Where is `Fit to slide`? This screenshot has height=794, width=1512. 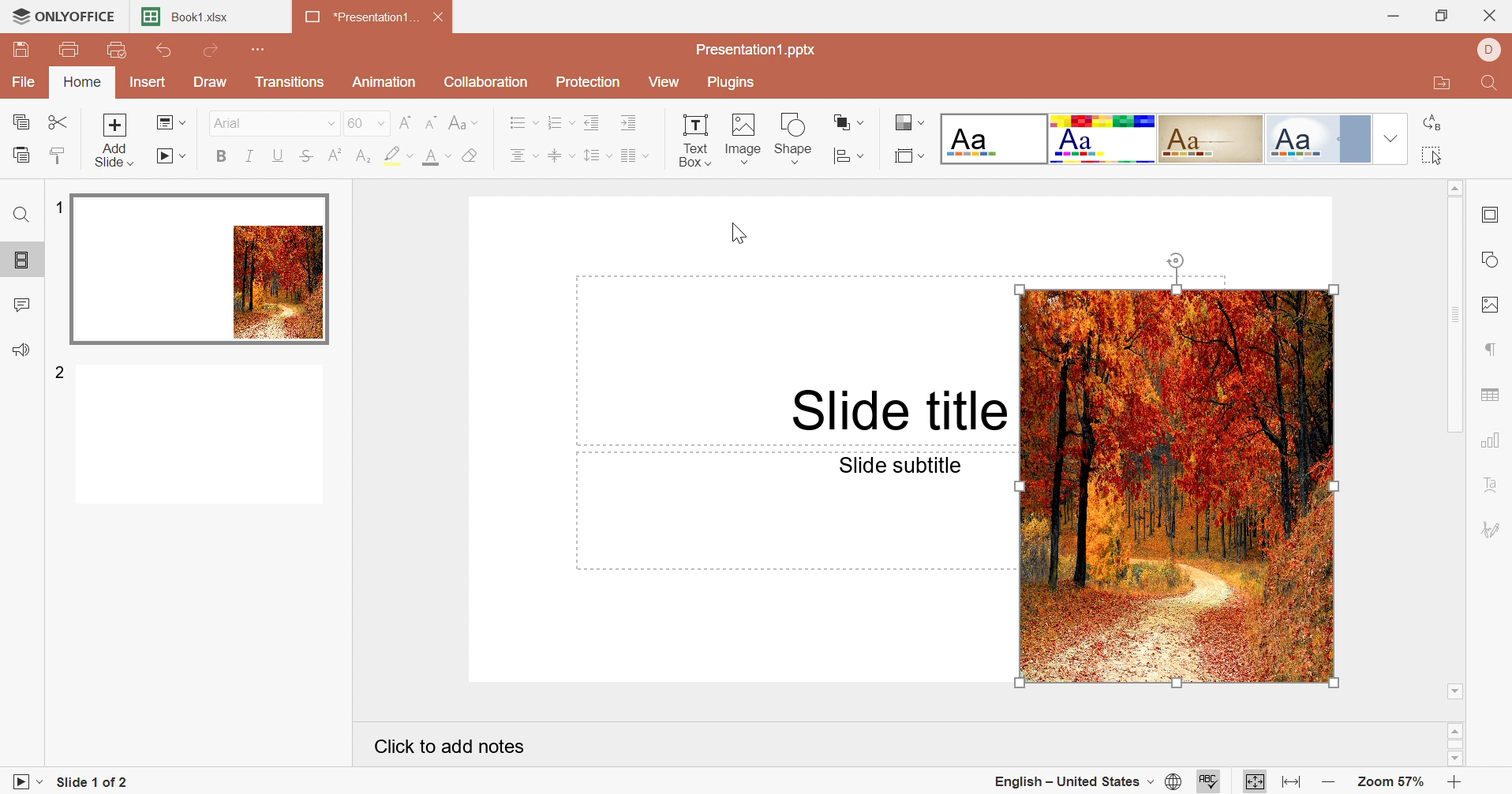
Fit to slide is located at coordinates (1255, 781).